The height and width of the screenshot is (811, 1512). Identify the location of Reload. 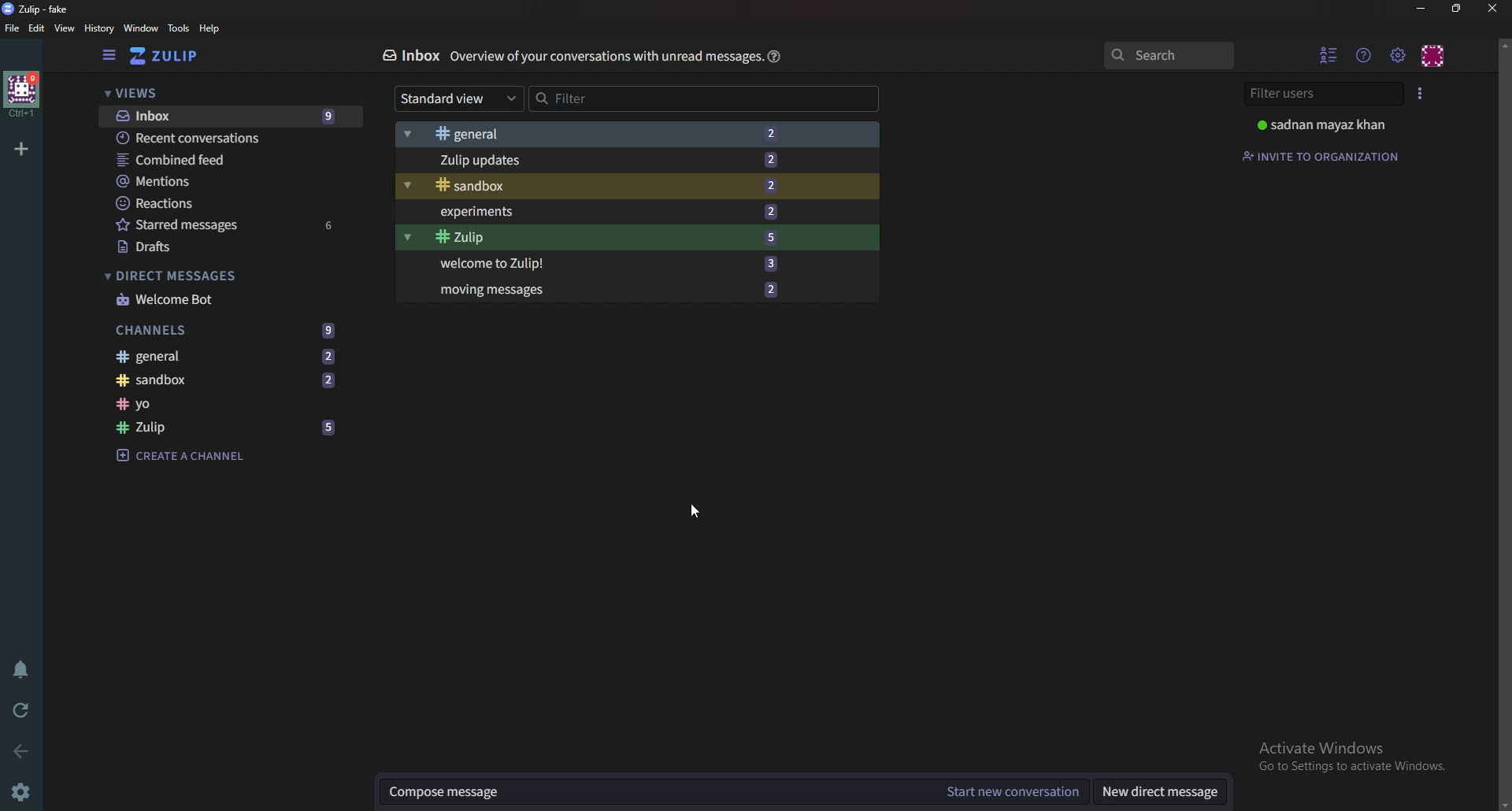
(22, 710).